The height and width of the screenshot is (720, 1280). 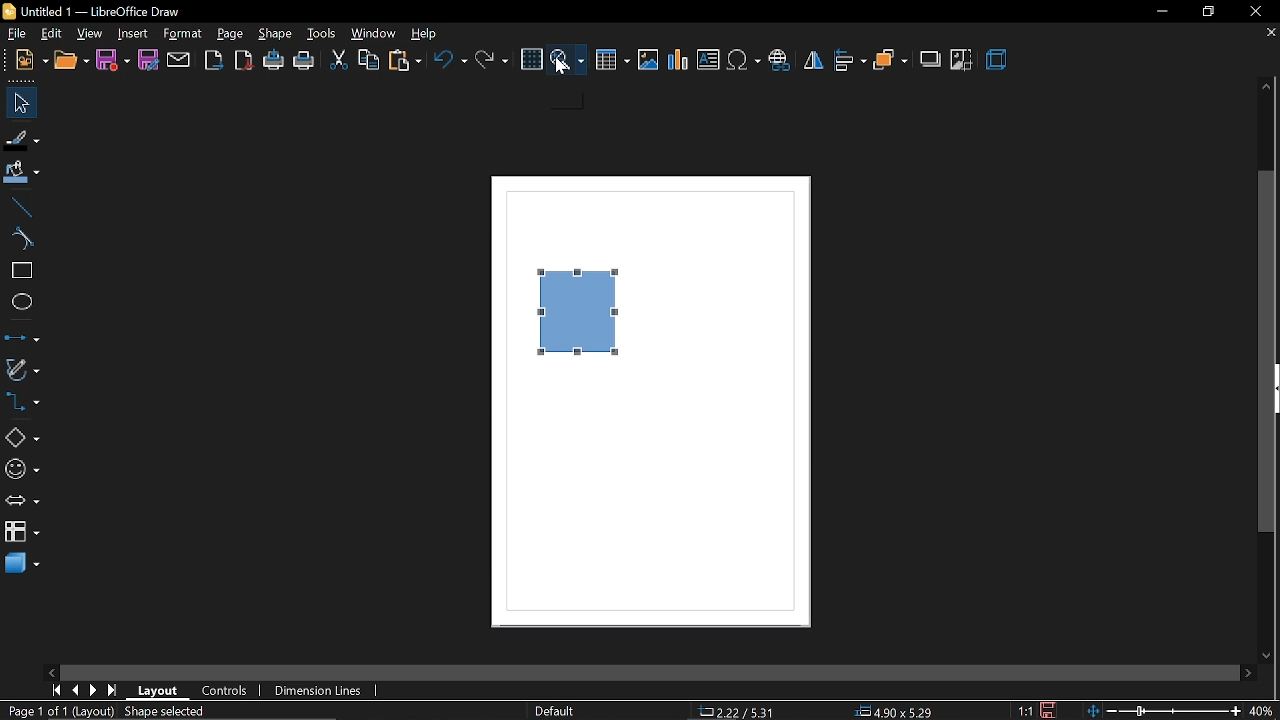 I want to click on current page, so click(x=58, y=711).